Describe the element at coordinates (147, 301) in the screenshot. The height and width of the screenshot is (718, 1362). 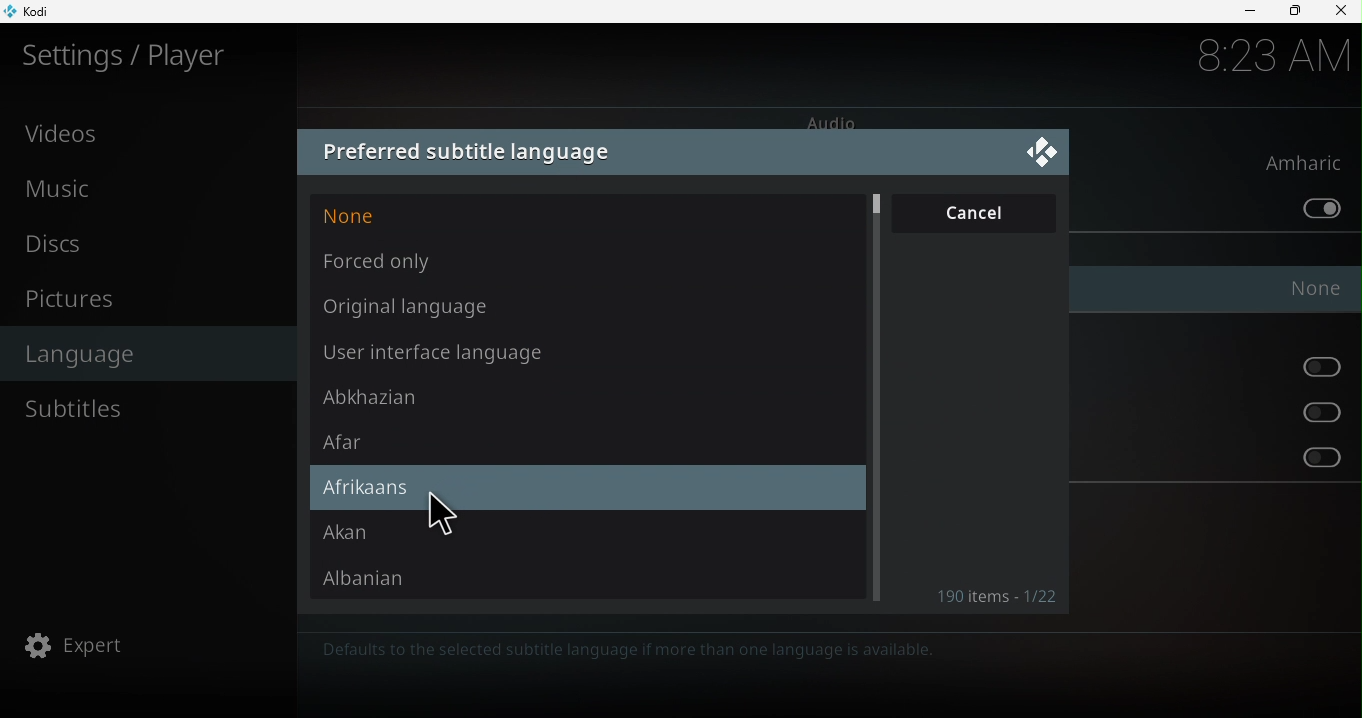
I see `Pictures` at that location.